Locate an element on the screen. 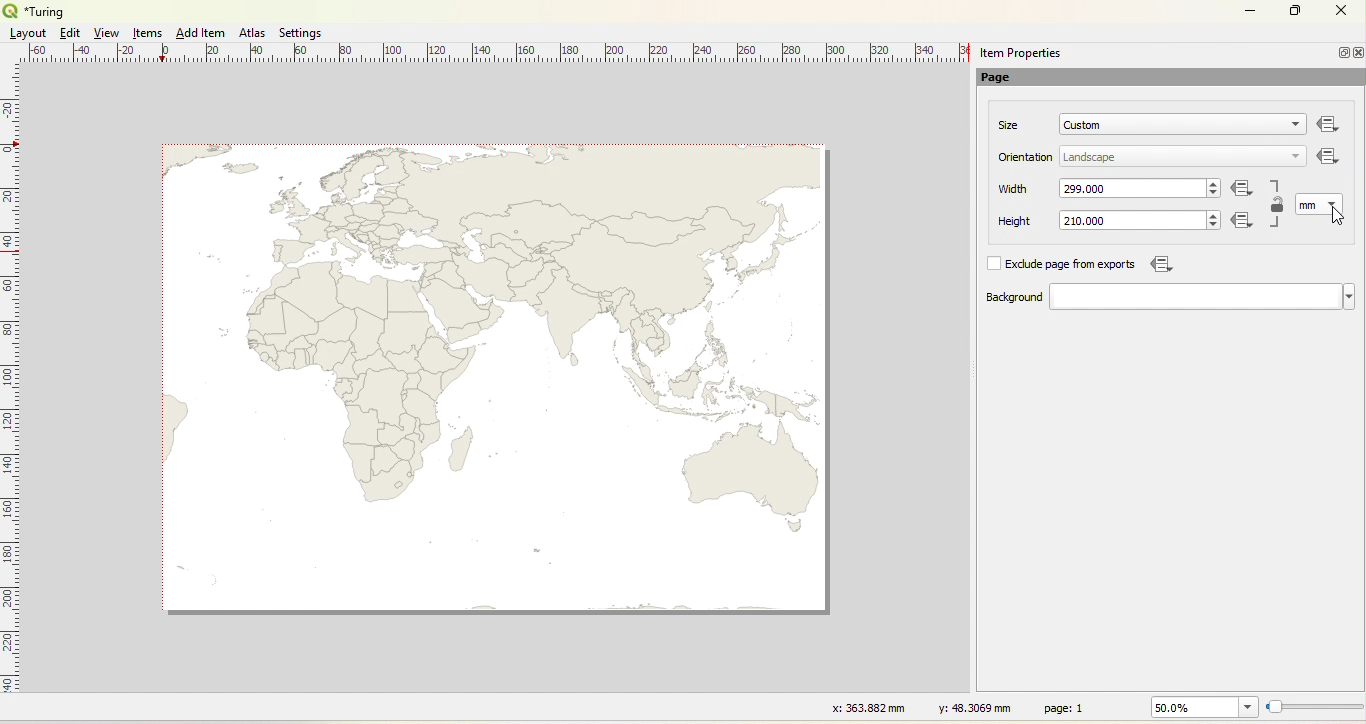 This screenshot has height=724, width=1366. Layout is located at coordinates (28, 33).